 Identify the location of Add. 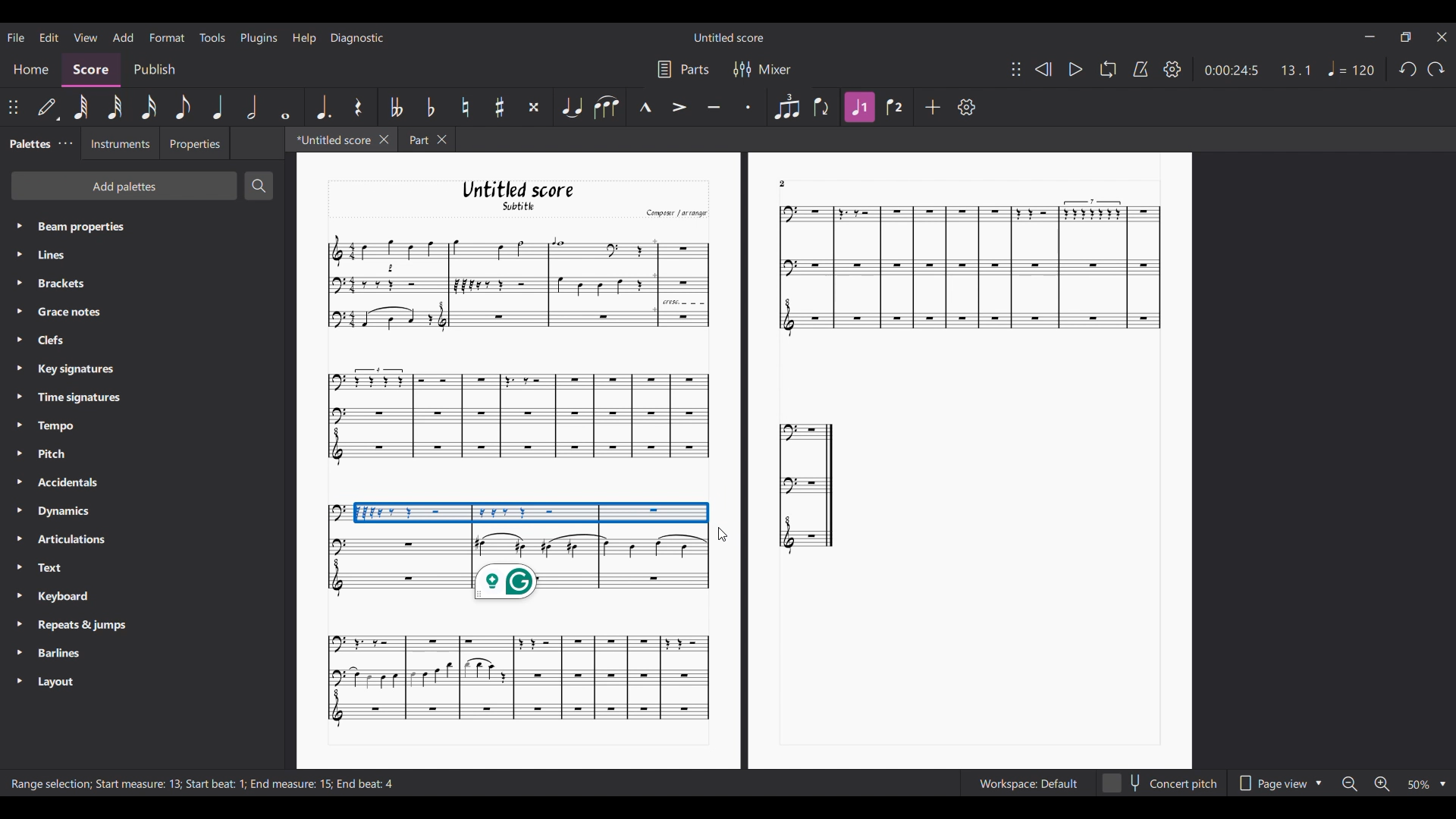
(934, 107).